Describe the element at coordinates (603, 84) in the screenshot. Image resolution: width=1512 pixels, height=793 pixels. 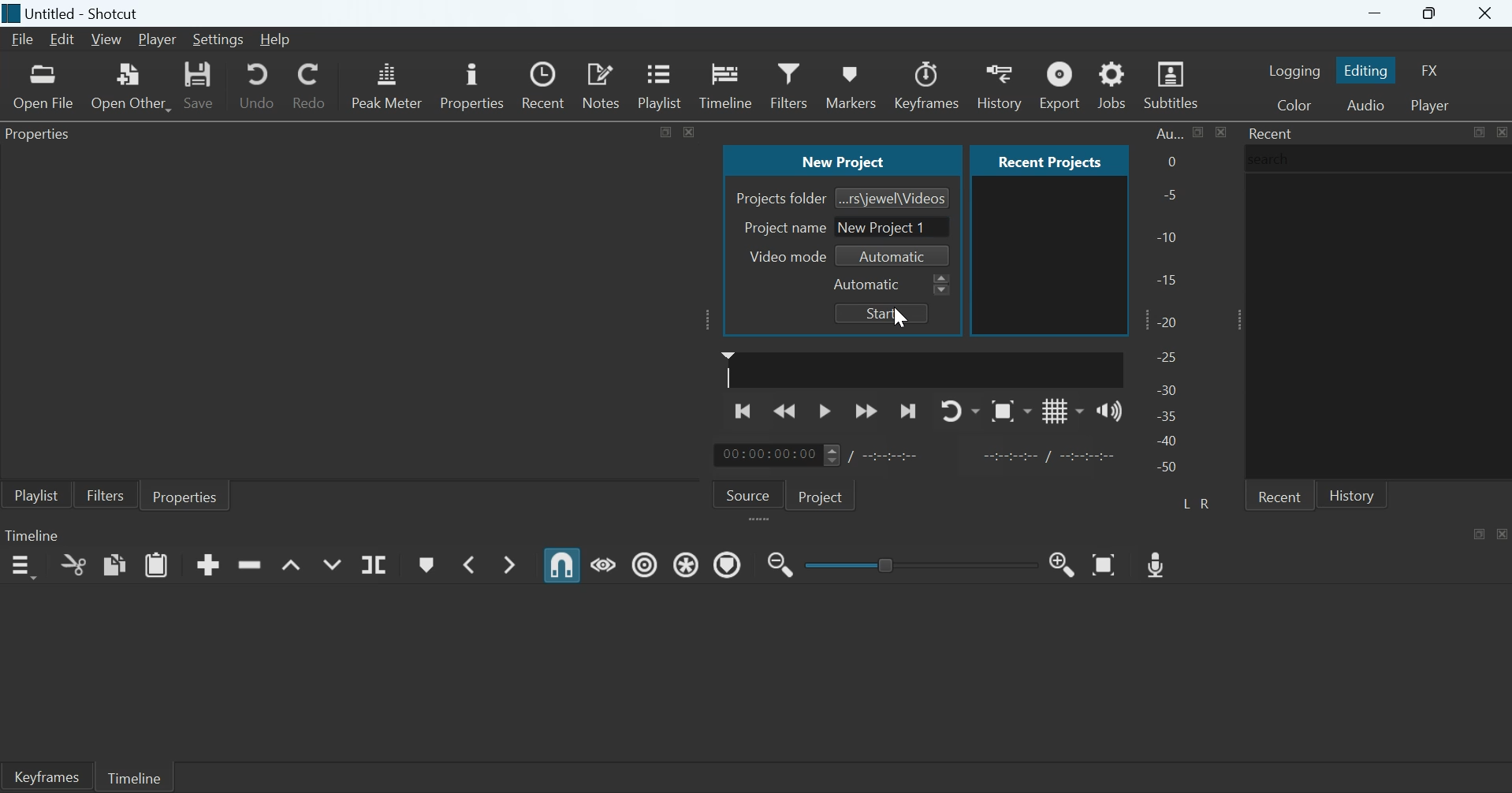
I see `Notes` at that location.